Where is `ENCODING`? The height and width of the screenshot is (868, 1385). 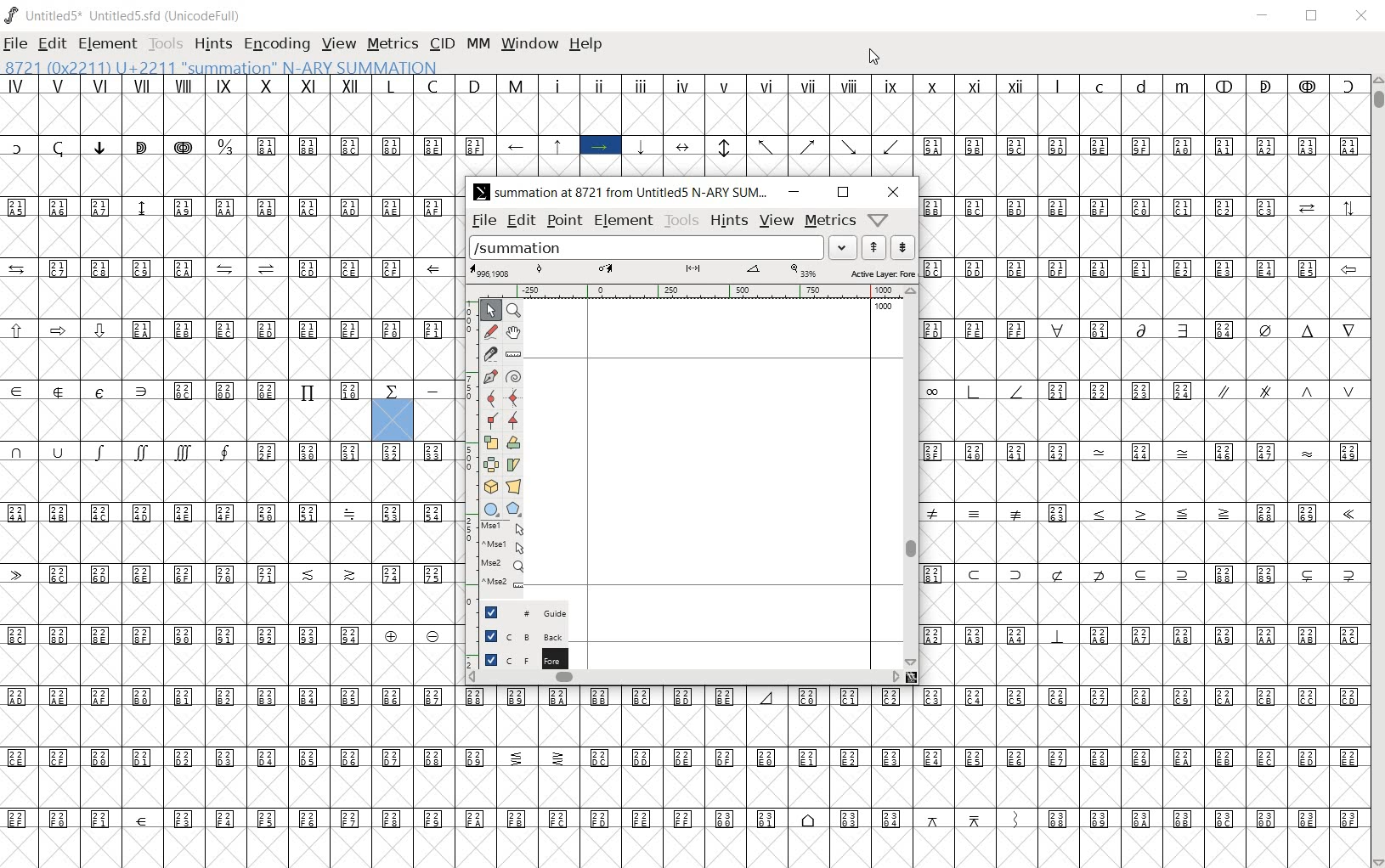
ENCODING is located at coordinates (275, 42).